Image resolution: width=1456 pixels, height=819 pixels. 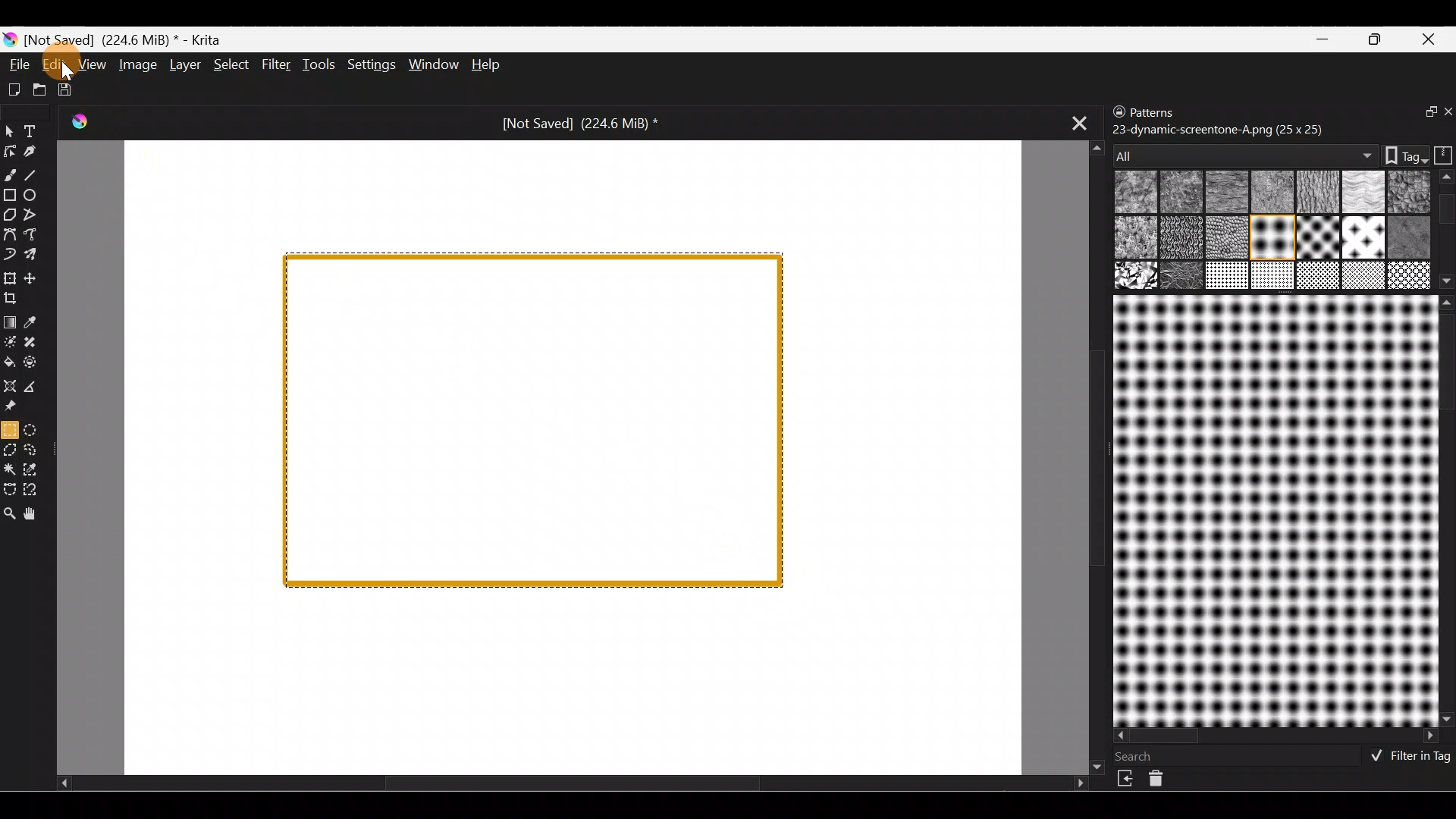 I want to click on Window, so click(x=431, y=64).